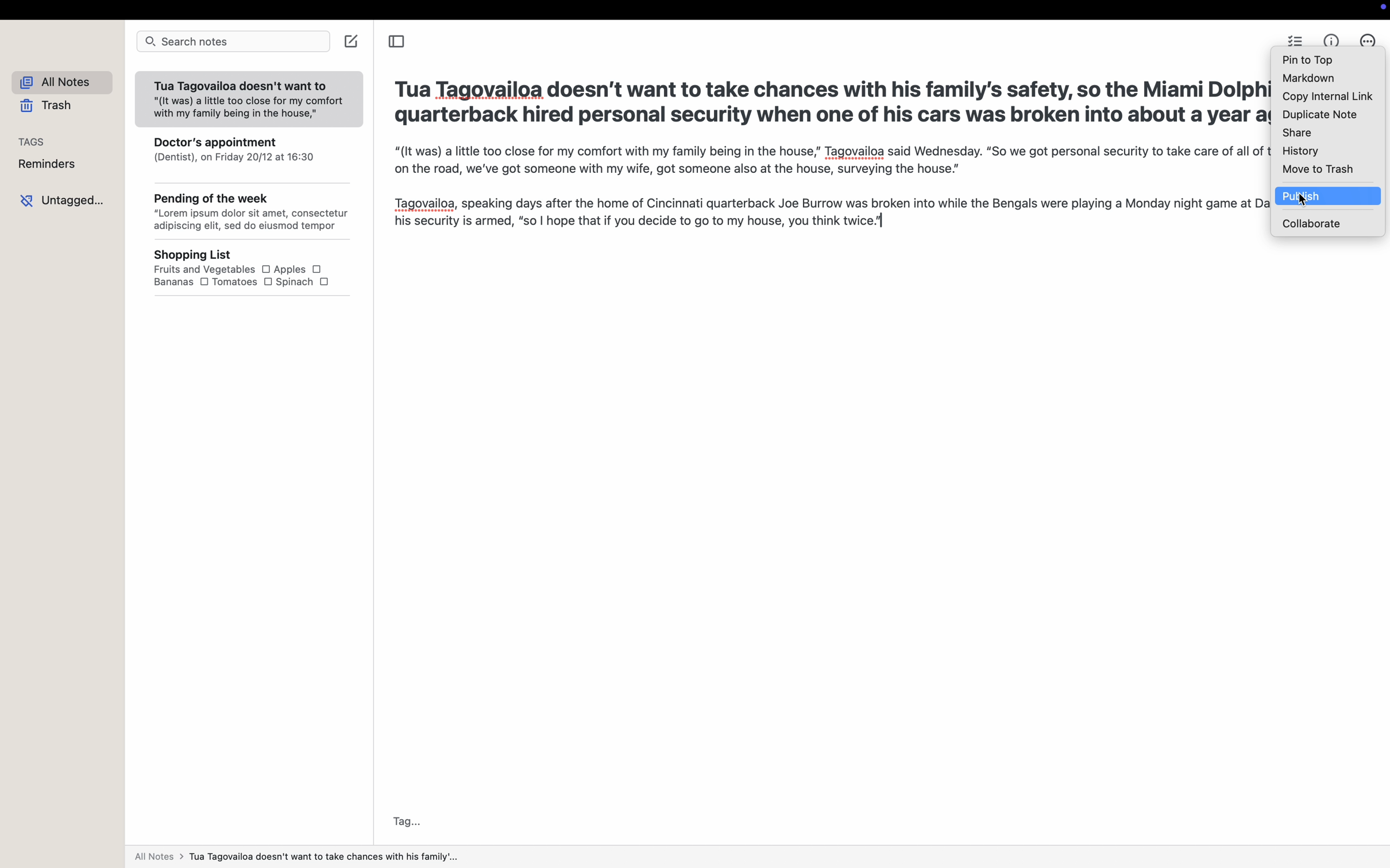  Describe the element at coordinates (251, 156) in the screenshot. I see `Doctor's appointment
(Dentist), on Friday 20/12 at 16:30` at that location.